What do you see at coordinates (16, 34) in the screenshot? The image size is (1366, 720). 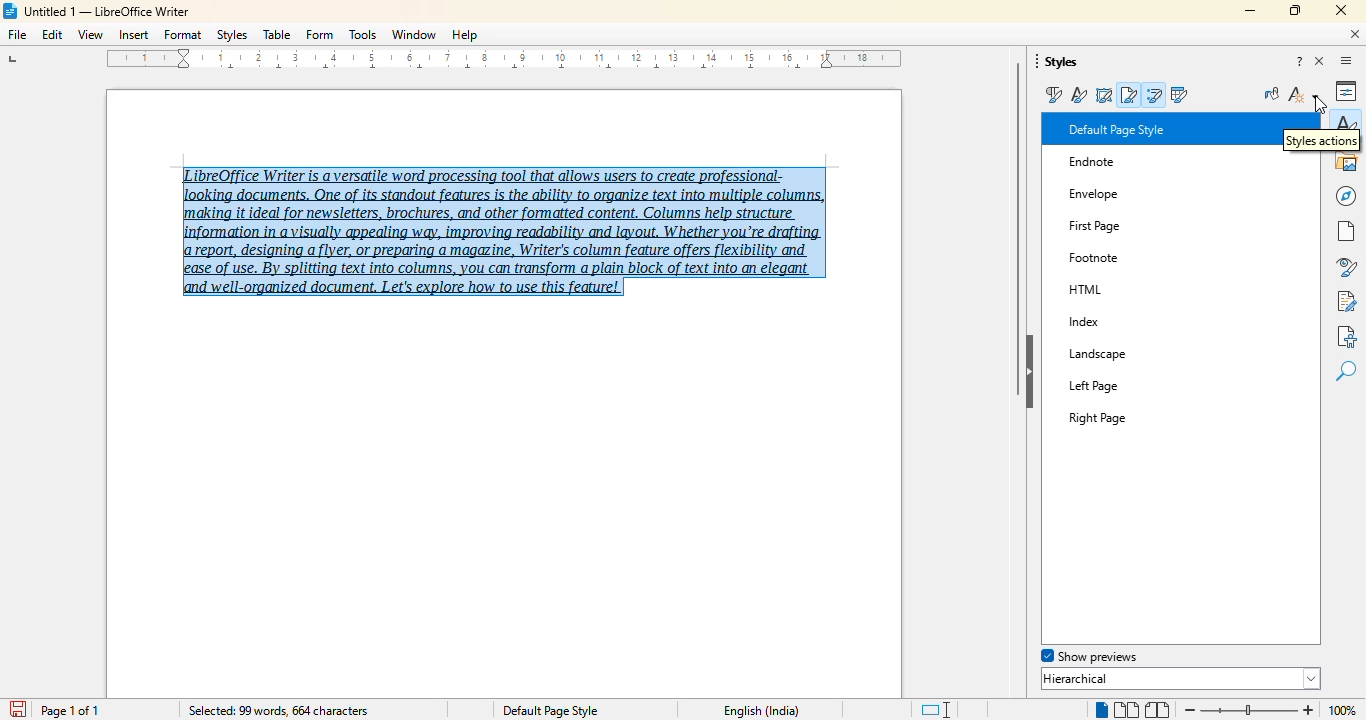 I see `file` at bounding box center [16, 34].